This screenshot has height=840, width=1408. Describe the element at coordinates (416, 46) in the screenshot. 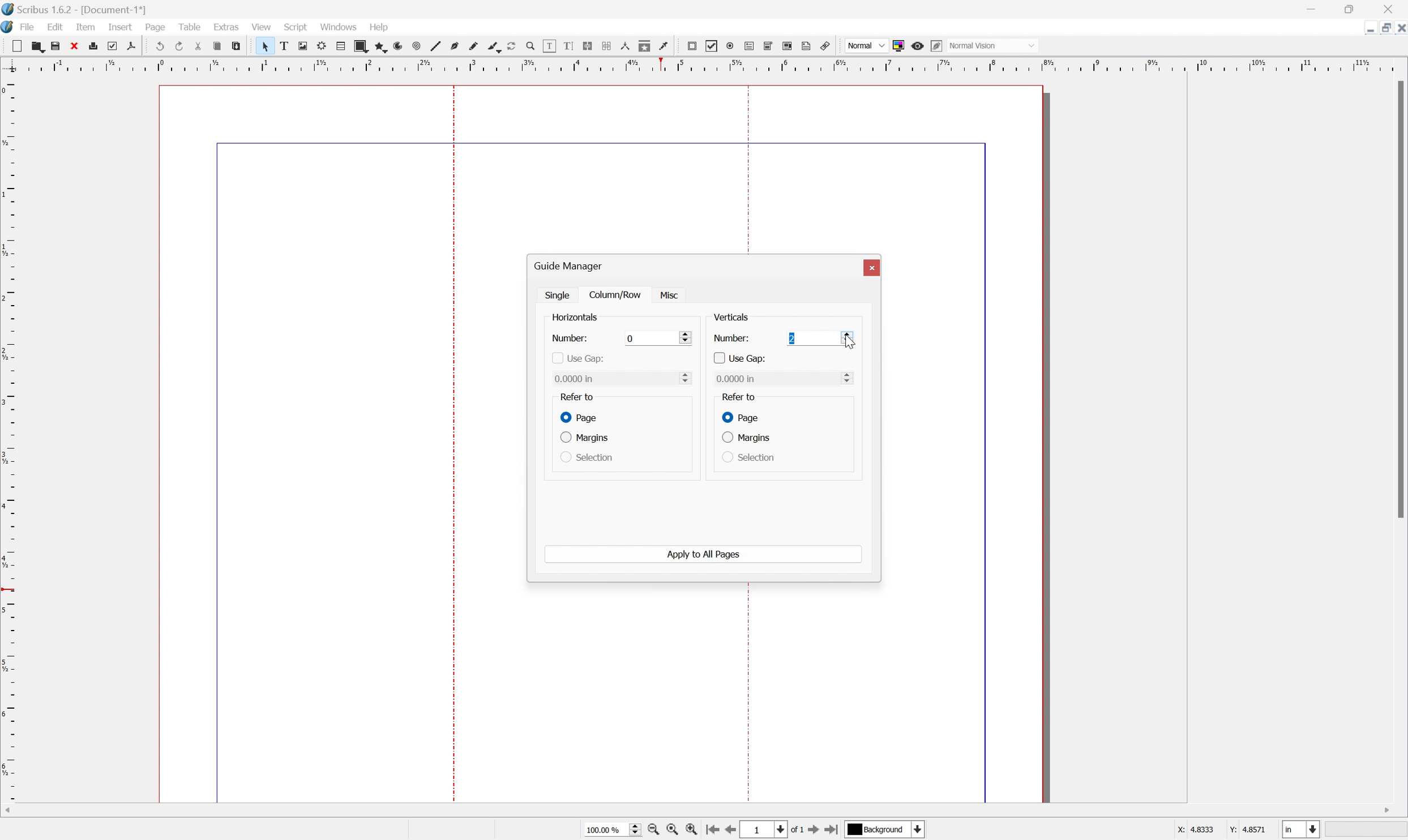

I see `spiral` at that location.